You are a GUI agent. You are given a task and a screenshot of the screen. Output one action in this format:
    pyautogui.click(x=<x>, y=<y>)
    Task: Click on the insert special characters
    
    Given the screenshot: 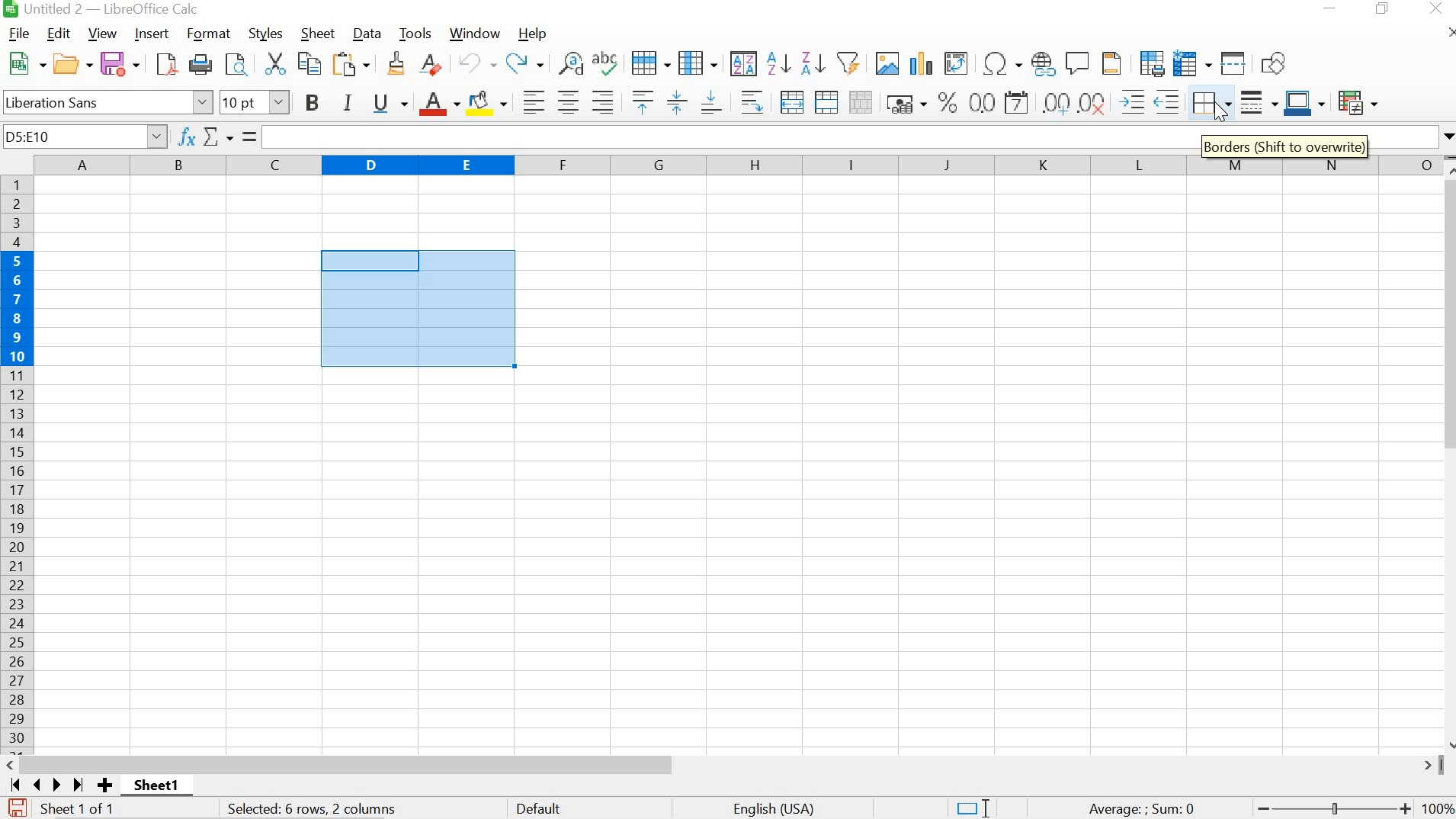 What is the action you would take?
    pyautogui.click(x=1003, y=62)
    